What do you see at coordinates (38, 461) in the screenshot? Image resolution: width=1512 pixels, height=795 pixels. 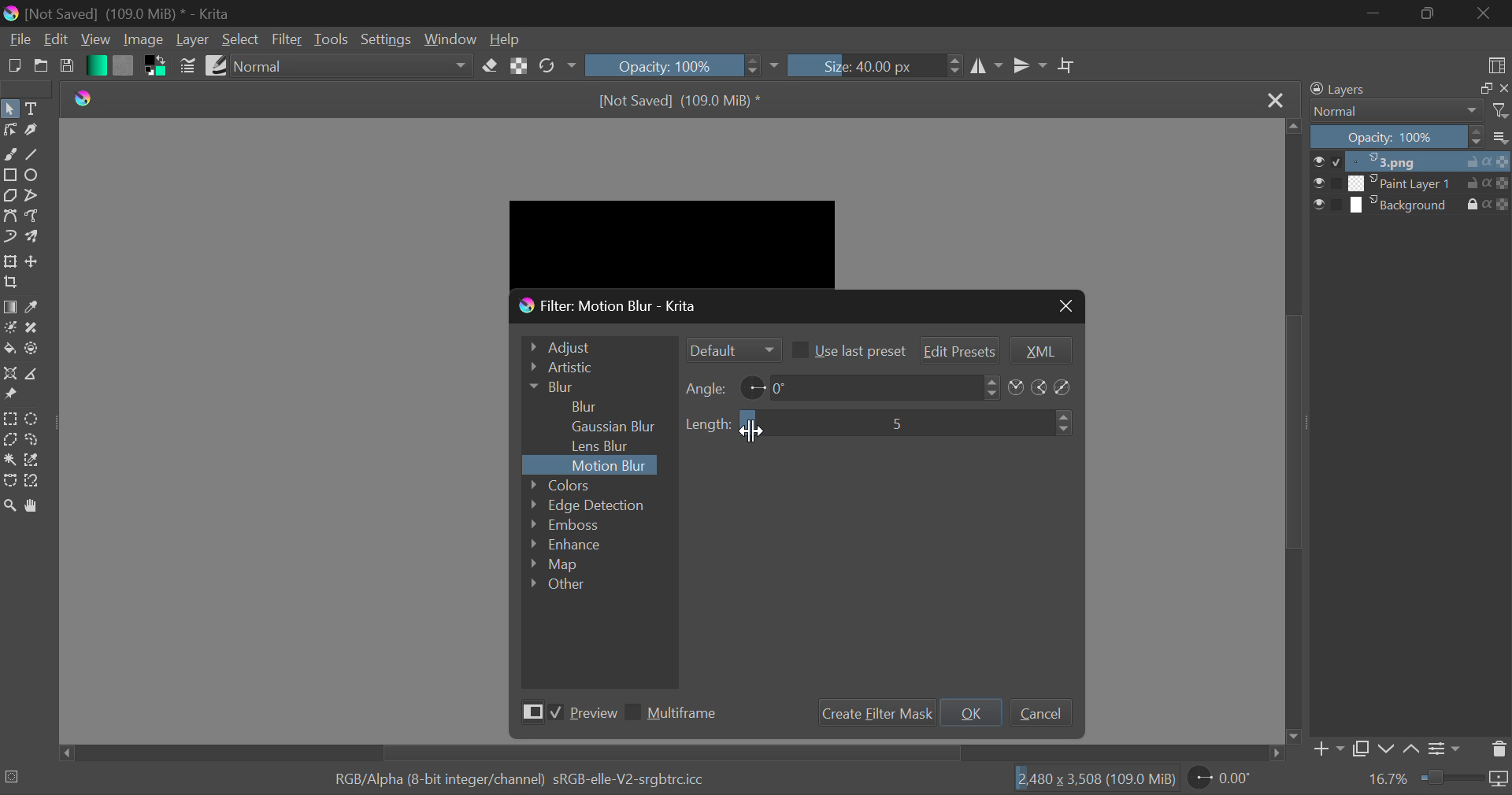 I see `Similar Color Selection Tool` at bounding box center [38, 461].